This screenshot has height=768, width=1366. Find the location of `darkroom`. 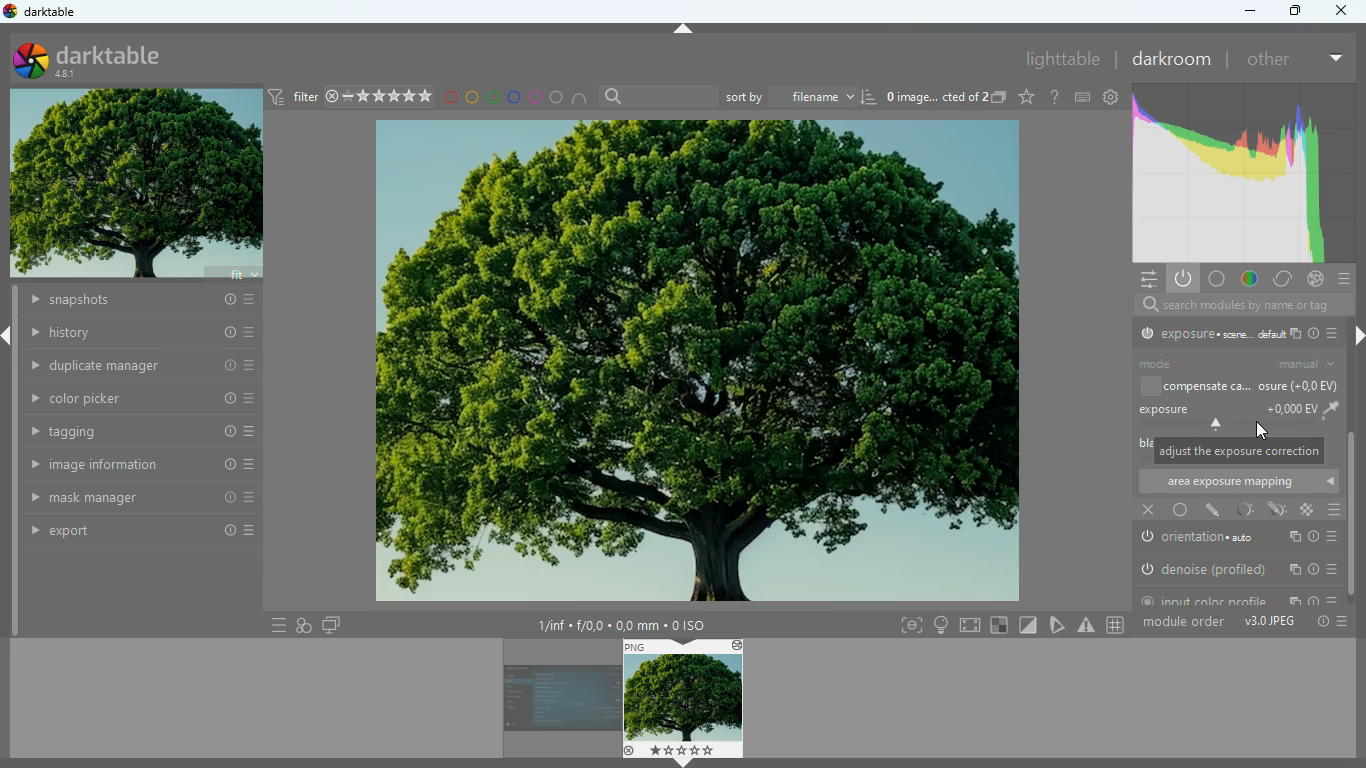

darkroom is located at coordinates (1174, 60).